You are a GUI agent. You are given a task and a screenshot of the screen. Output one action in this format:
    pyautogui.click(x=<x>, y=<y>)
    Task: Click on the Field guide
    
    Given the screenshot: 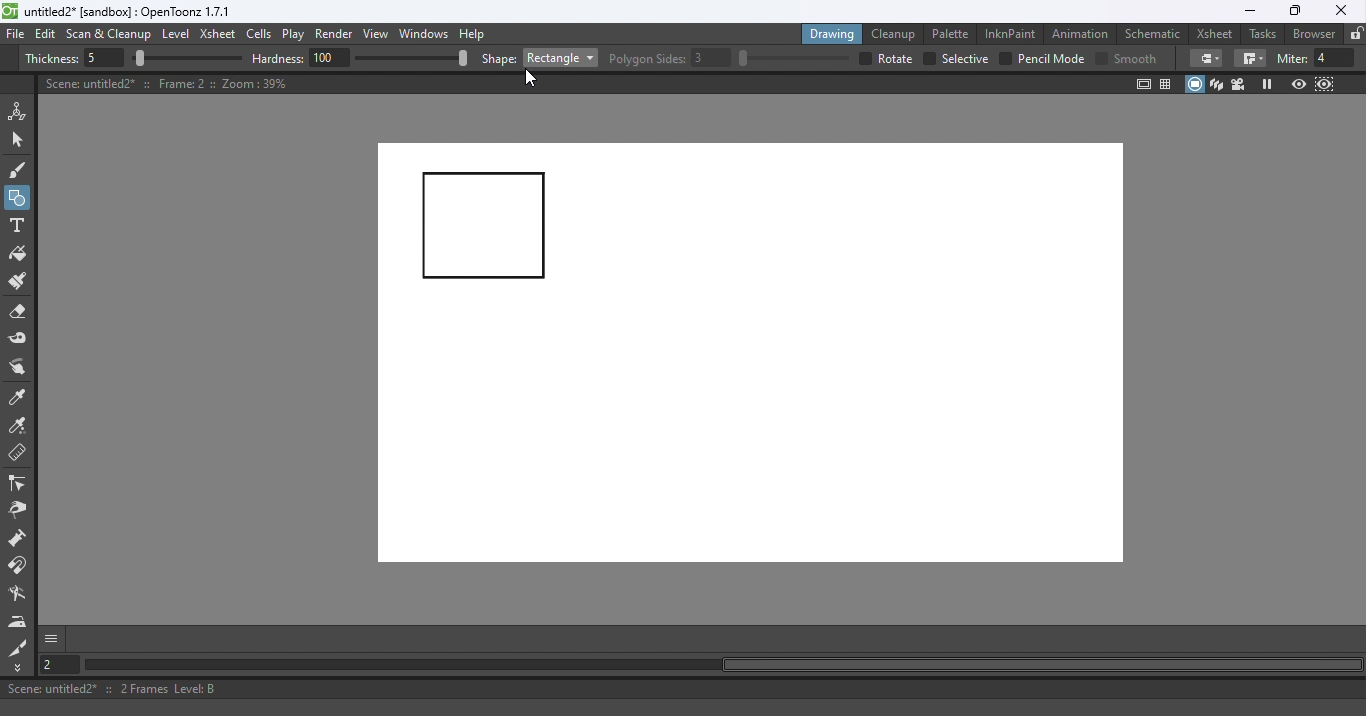 What is the action you would take?
    pyautogui.click(x=1169, y=83)
    